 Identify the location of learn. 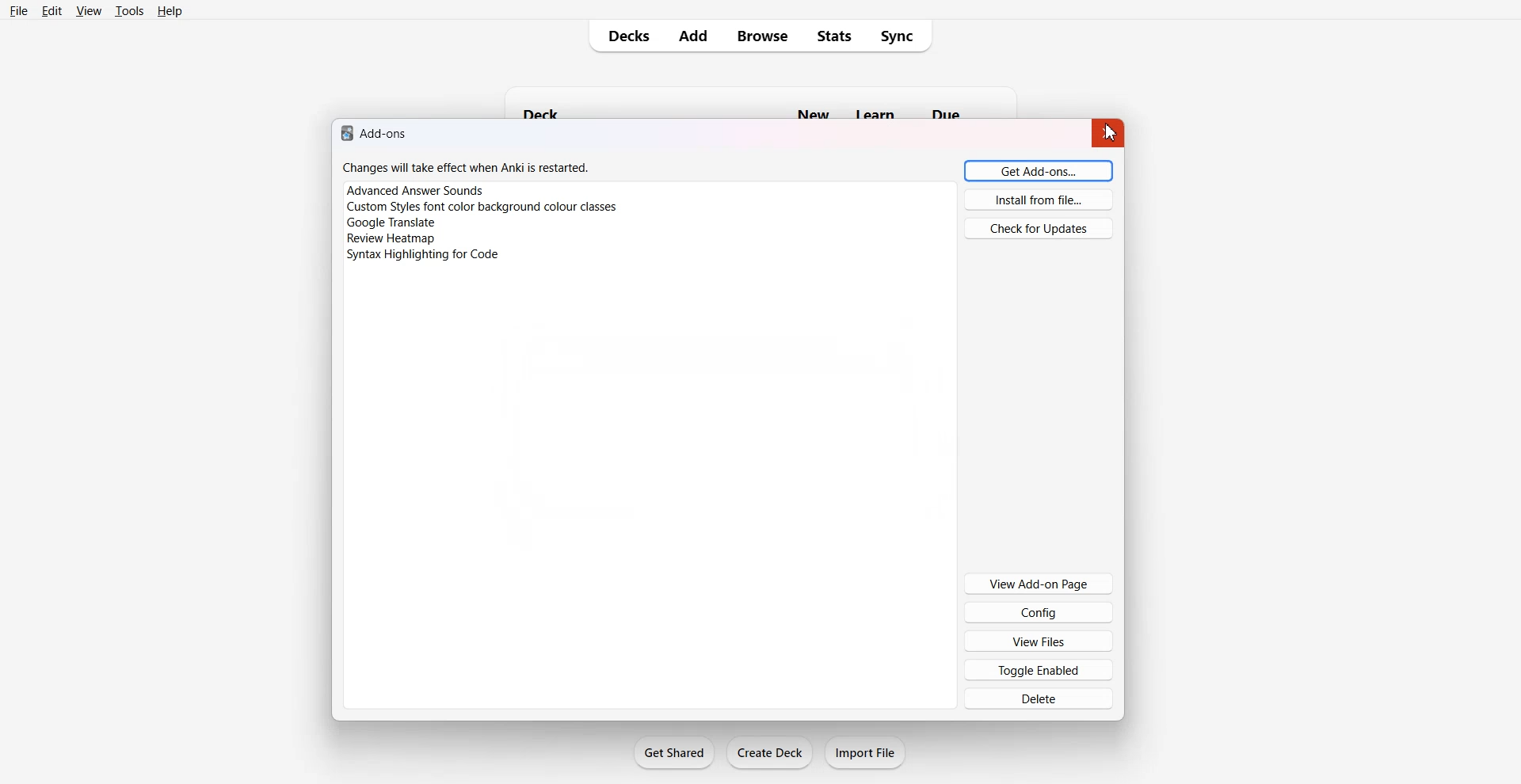
(876, 113).